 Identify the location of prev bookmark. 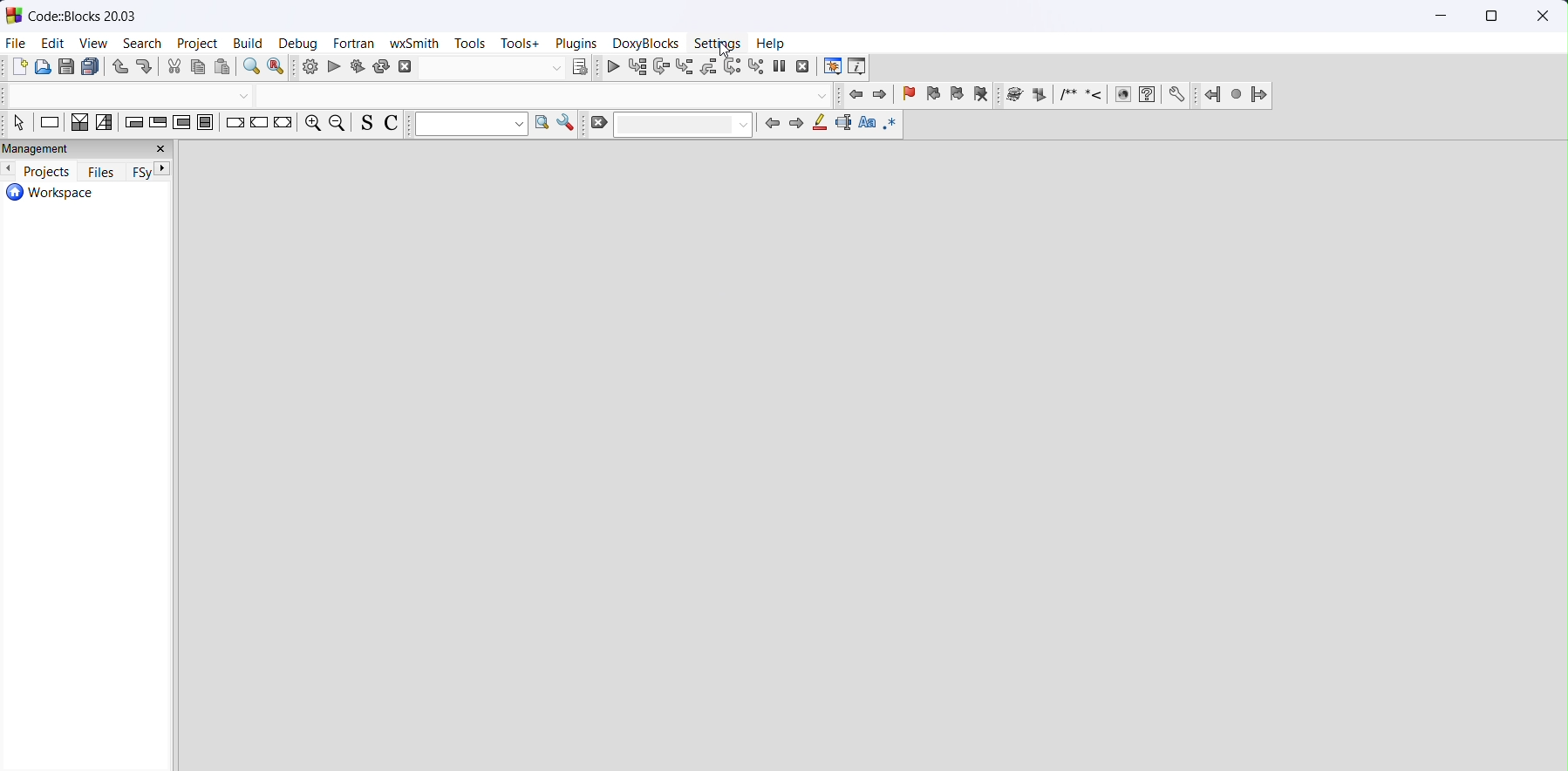
(933, 95).